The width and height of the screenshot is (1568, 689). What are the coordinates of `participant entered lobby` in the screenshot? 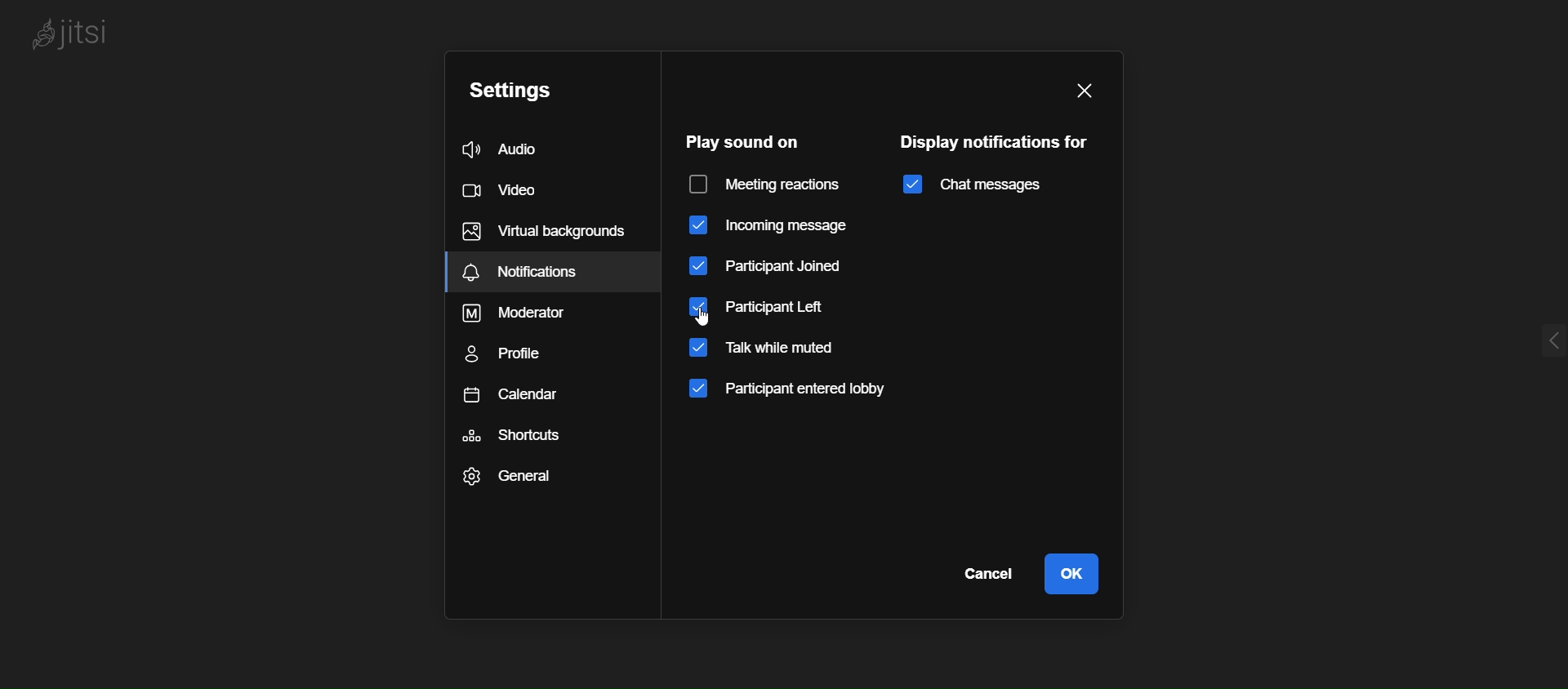 It's located at (808, 393).